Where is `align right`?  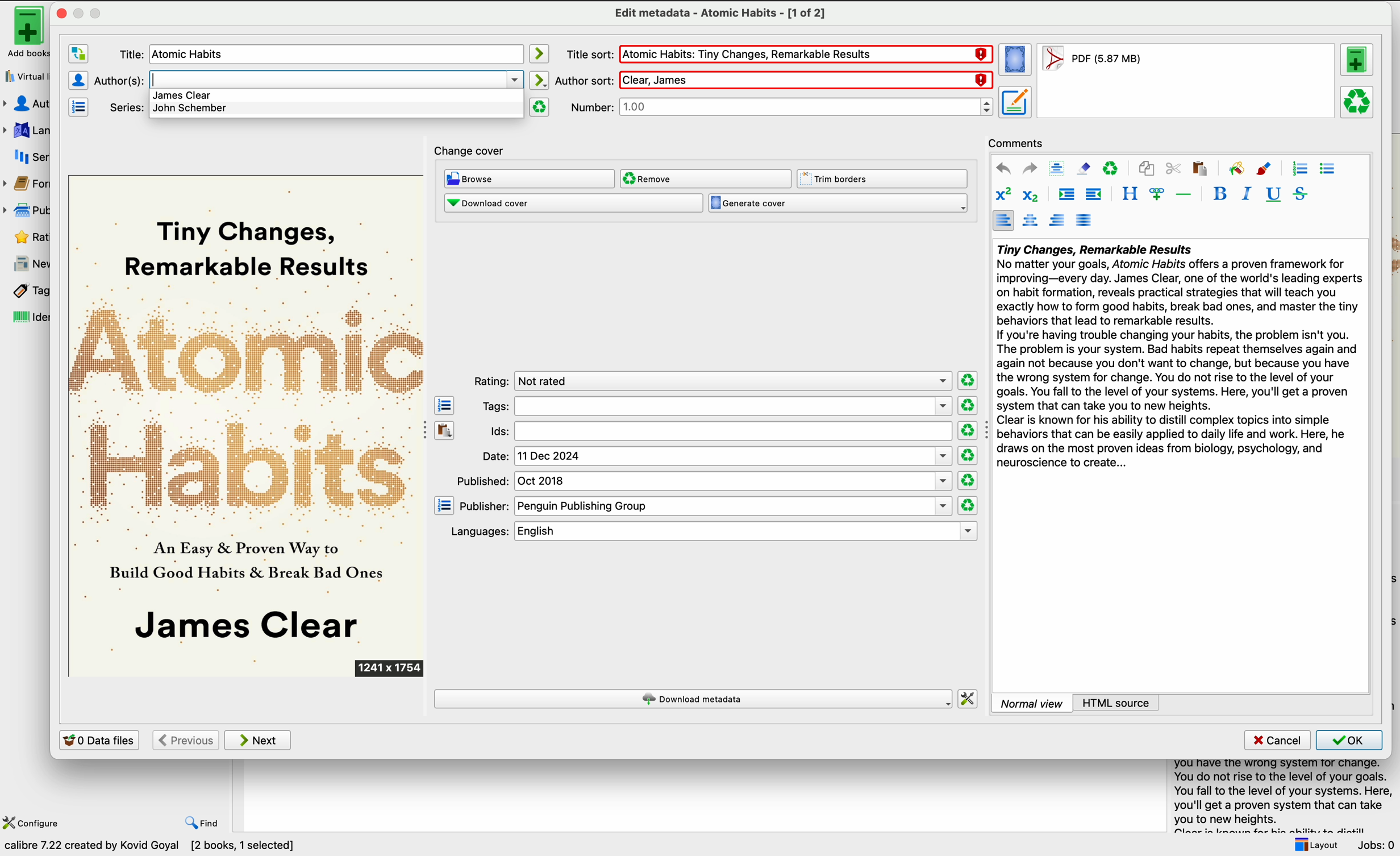
align right is located at coordinates (1058, 220).